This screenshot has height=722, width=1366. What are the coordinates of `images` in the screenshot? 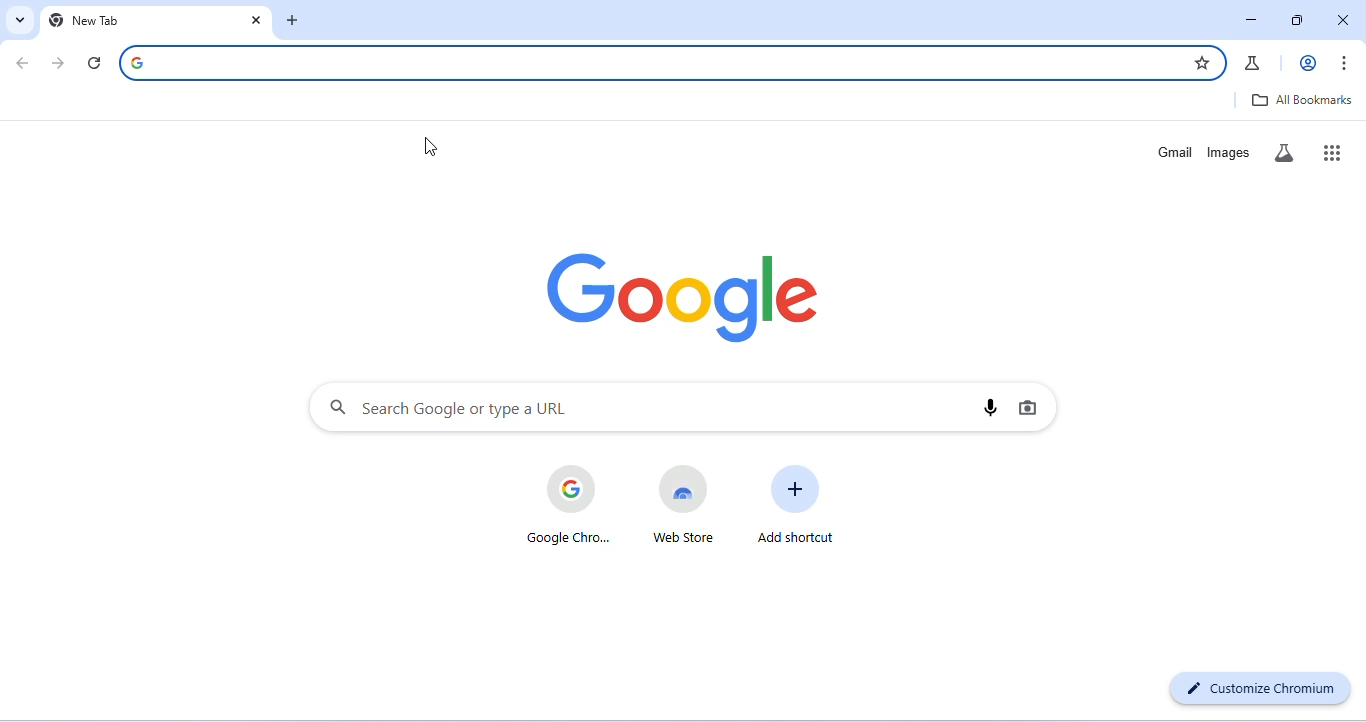 It's located at (1230, 152).